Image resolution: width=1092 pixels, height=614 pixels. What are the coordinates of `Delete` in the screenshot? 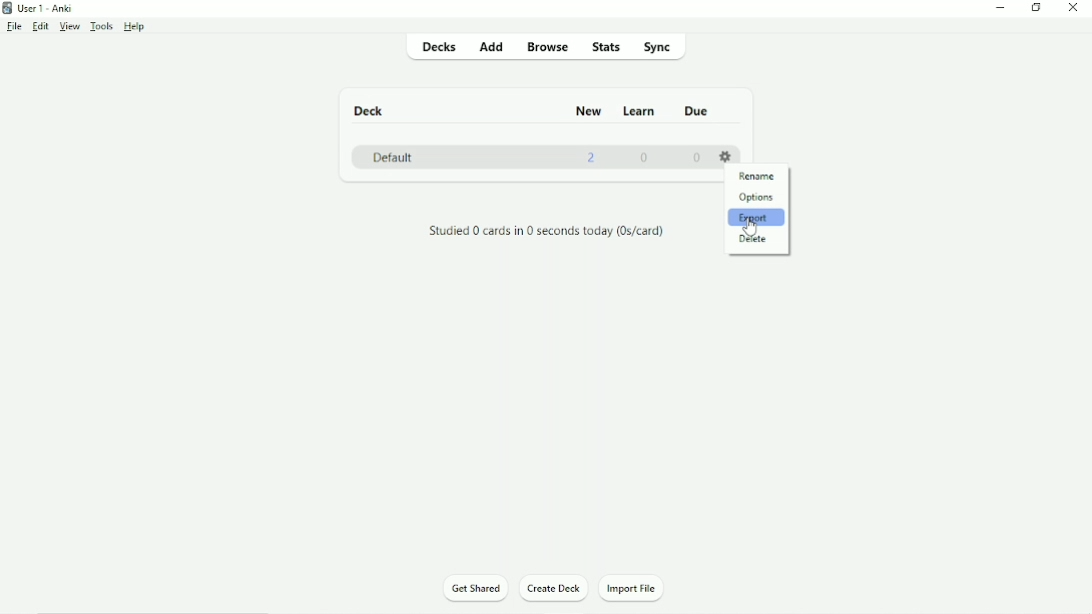 It's located at (756, 239).